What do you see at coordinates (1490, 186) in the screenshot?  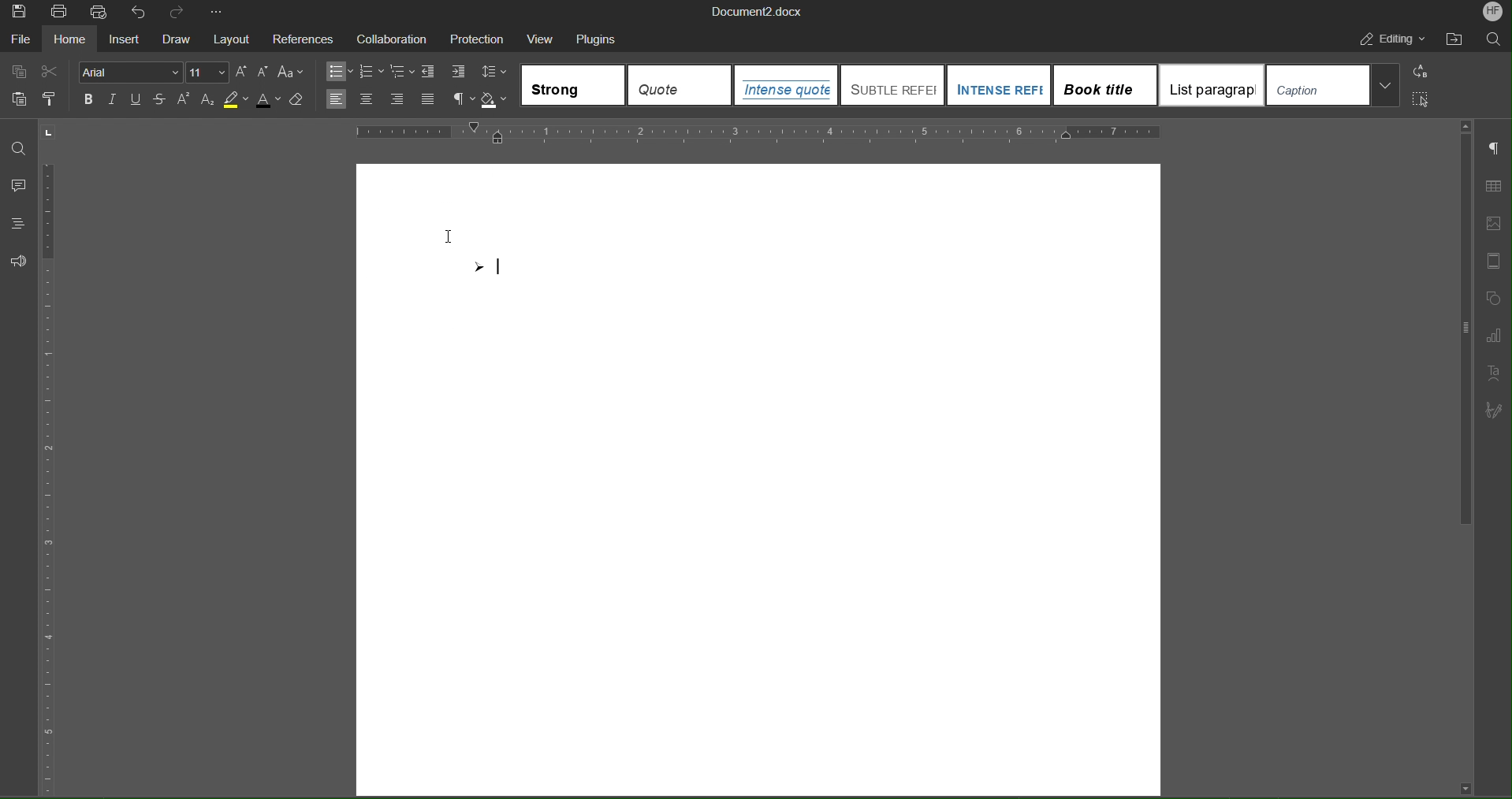 I see `Table Settings` at bounding box center [1490, 186].